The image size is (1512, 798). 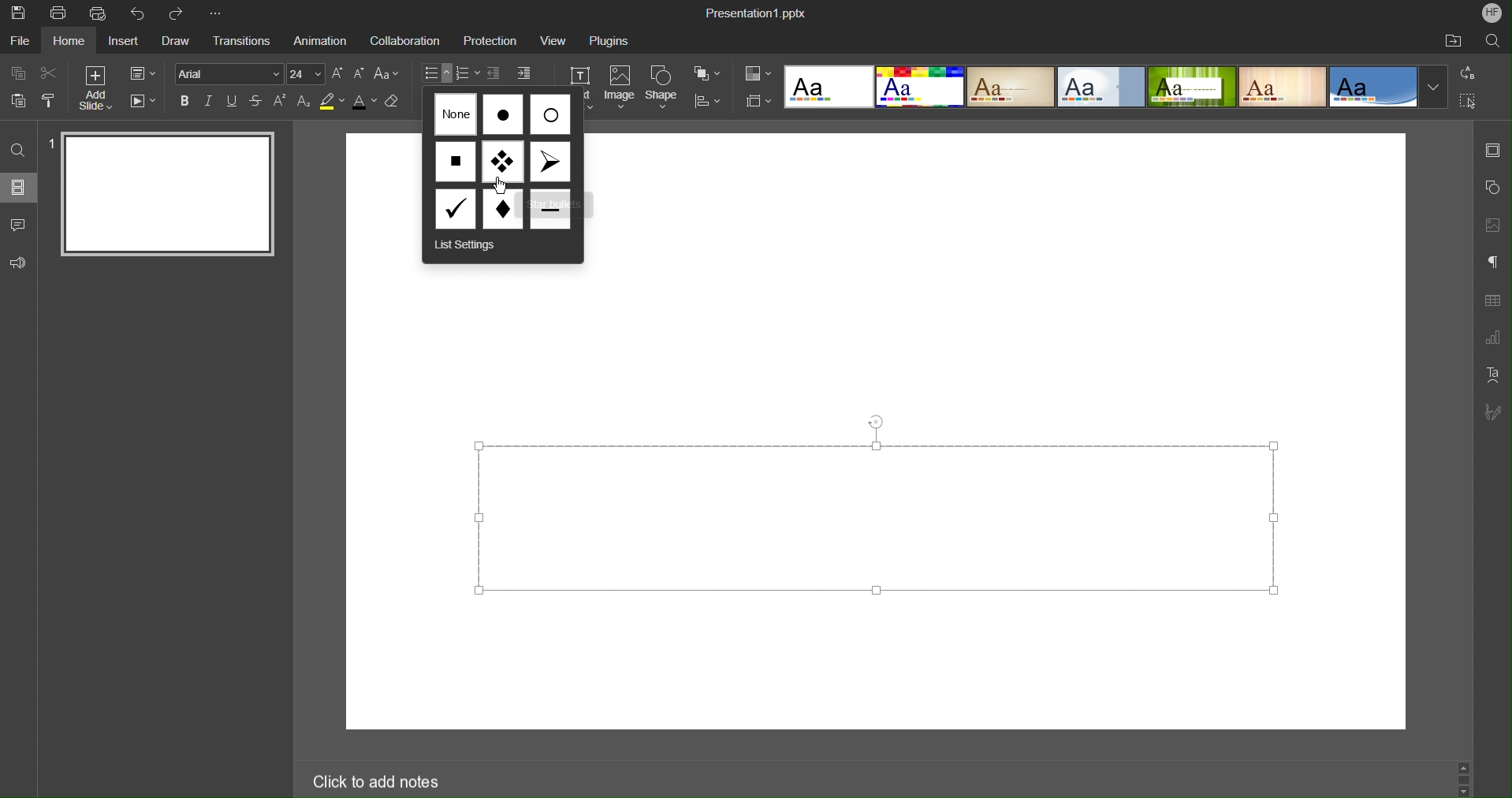 I want to click on Find, so click(x=15, y=150).